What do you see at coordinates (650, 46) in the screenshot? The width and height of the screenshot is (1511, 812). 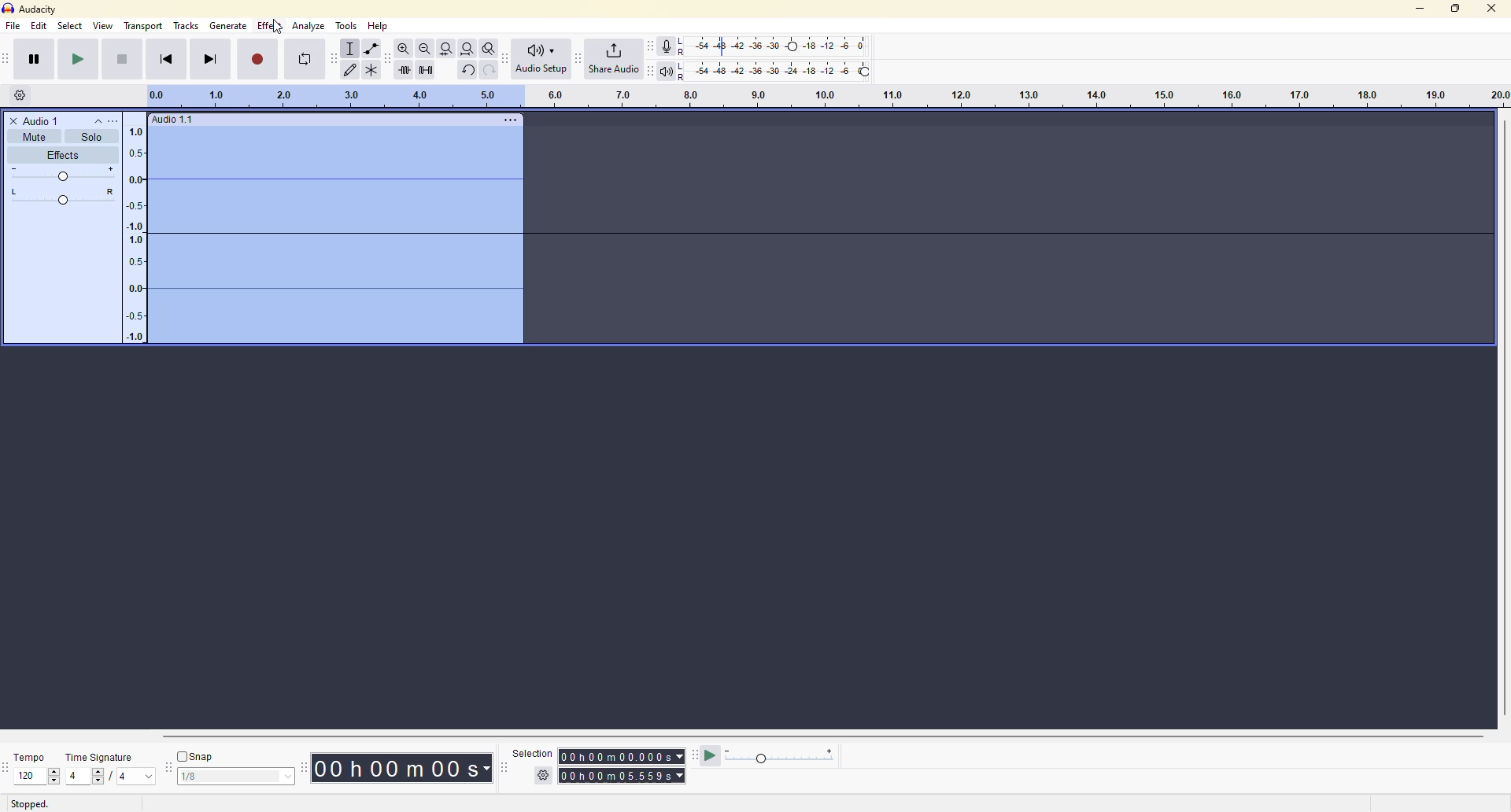 I see `recording meter toolbar` at bounding box center [650, 46].